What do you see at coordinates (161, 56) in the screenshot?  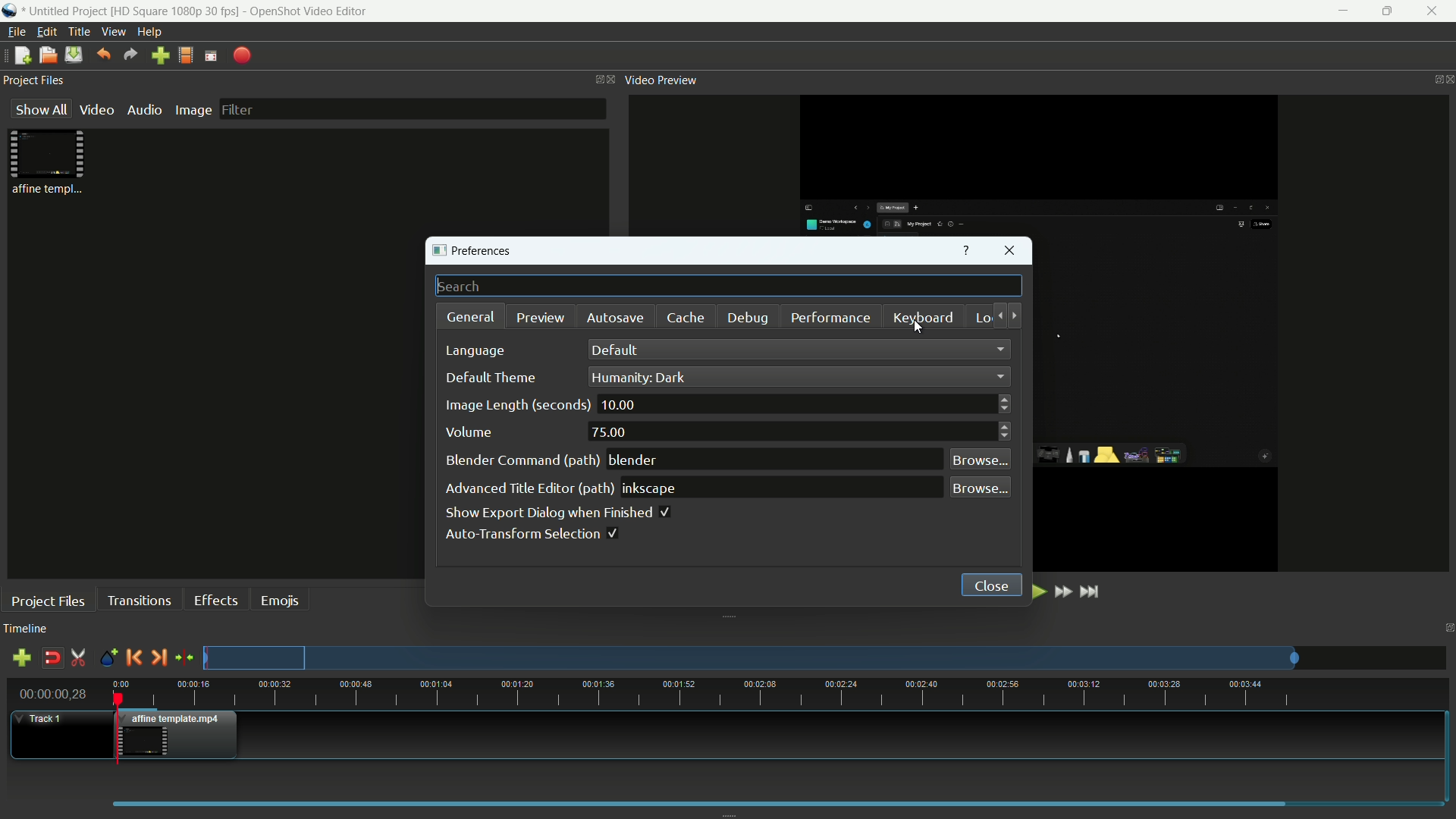 I see `import file` at bounding box center [161, 56].